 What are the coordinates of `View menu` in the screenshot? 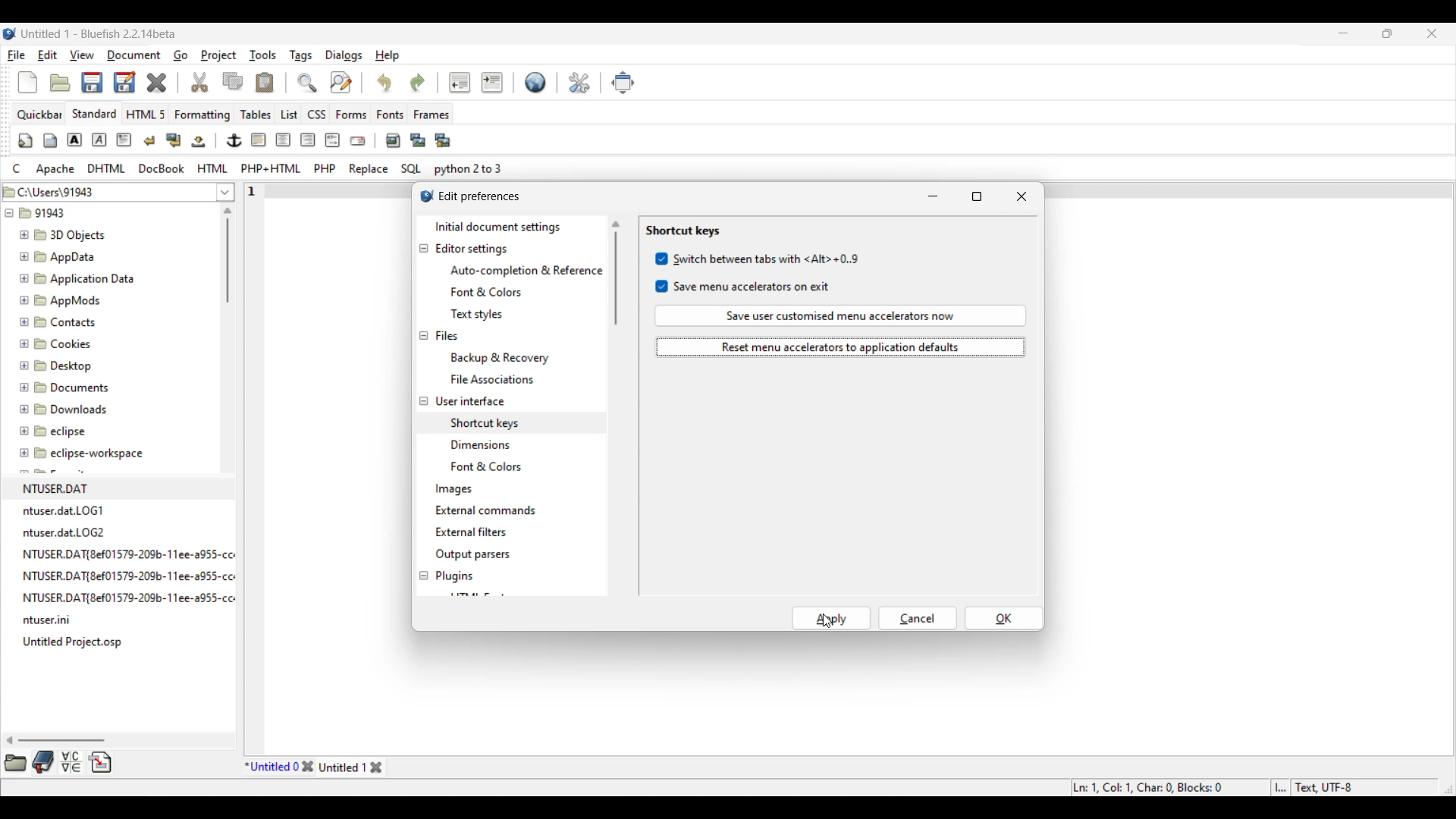 It's located at (82, 55).